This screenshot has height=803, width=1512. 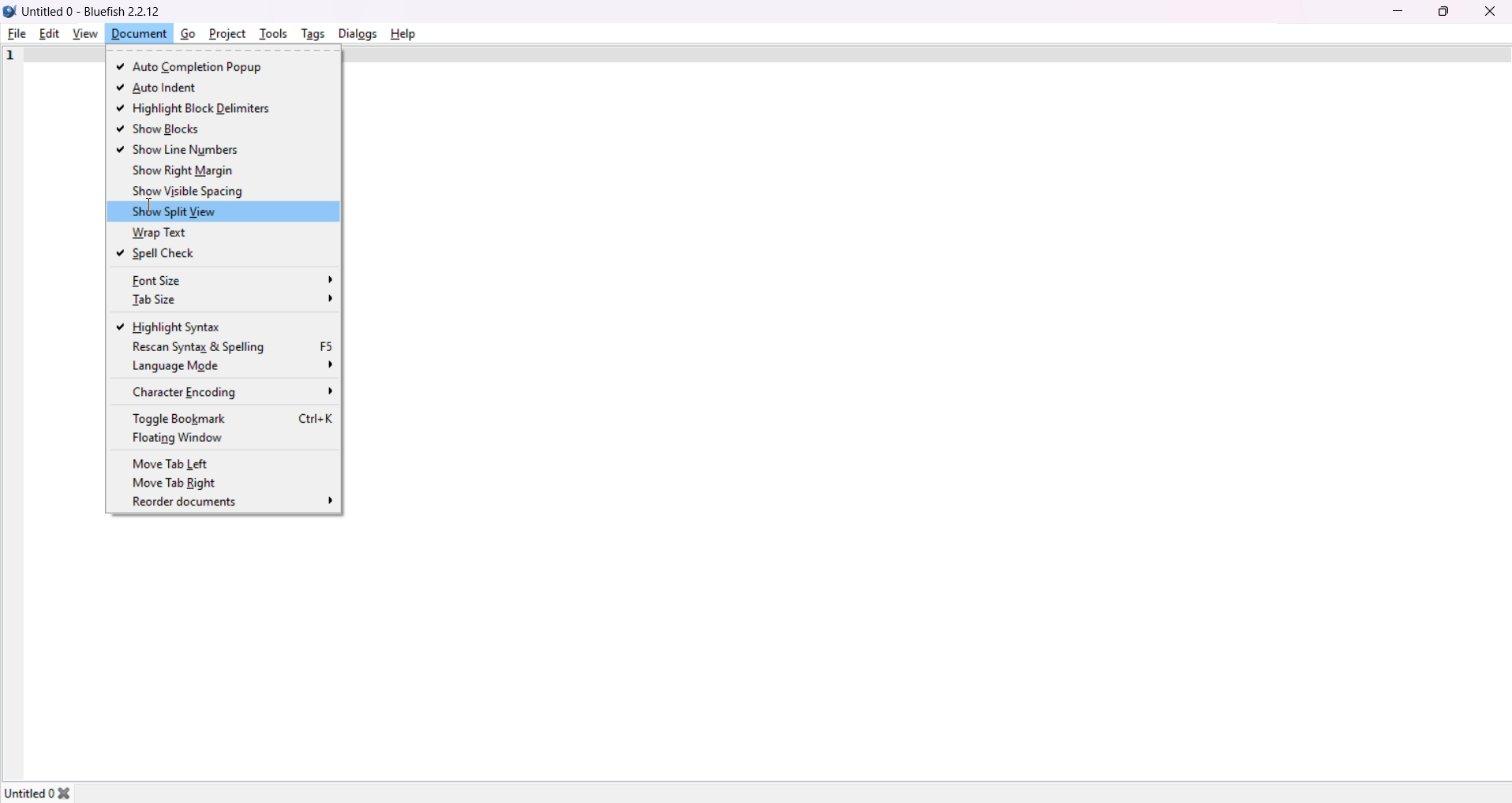 What do you see at coordinates (82, 33) in the screenshot?
I see `view` at bounding box center [82, 33].